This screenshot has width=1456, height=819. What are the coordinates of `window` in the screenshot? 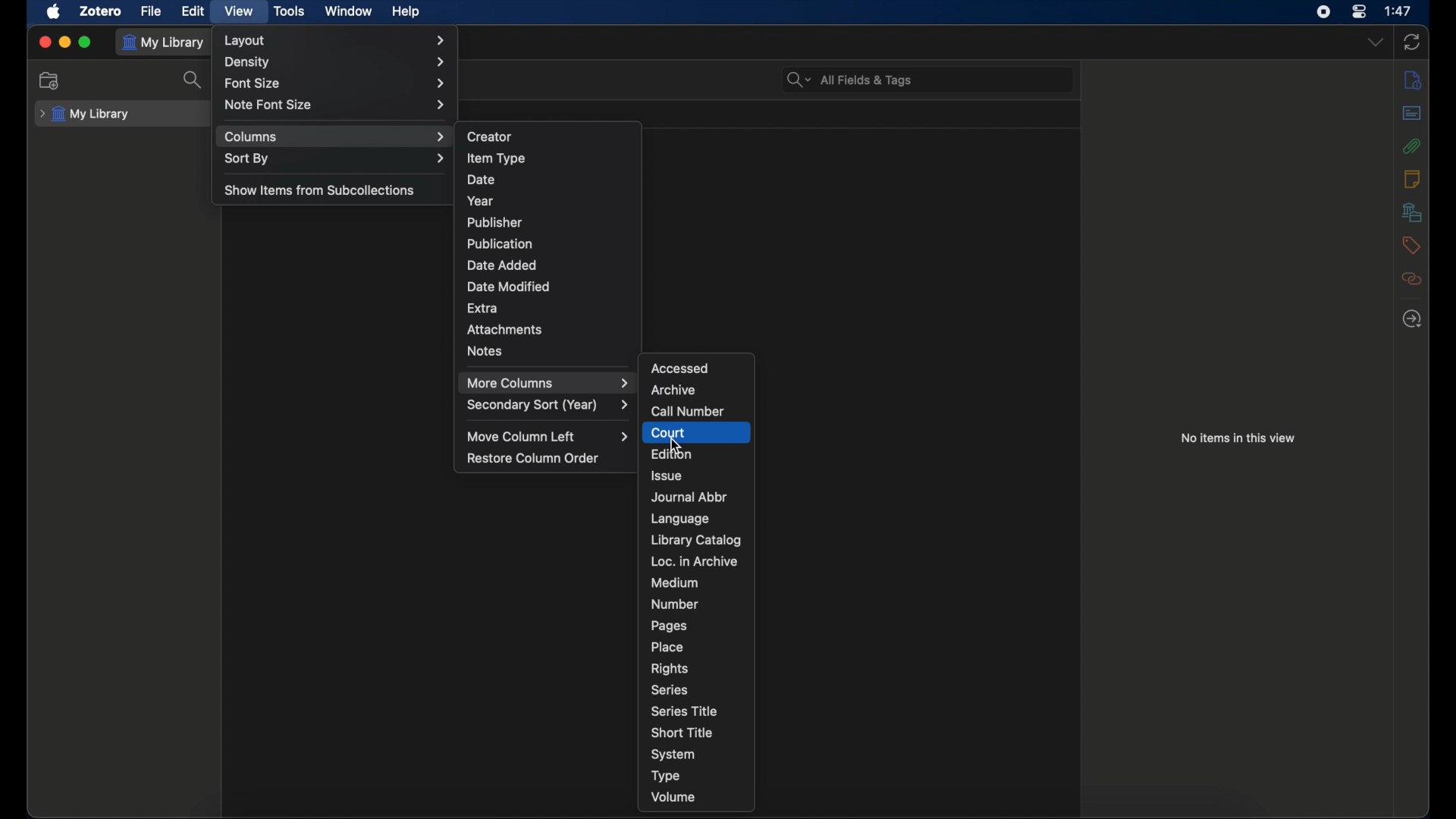 It's located at (347, 11).